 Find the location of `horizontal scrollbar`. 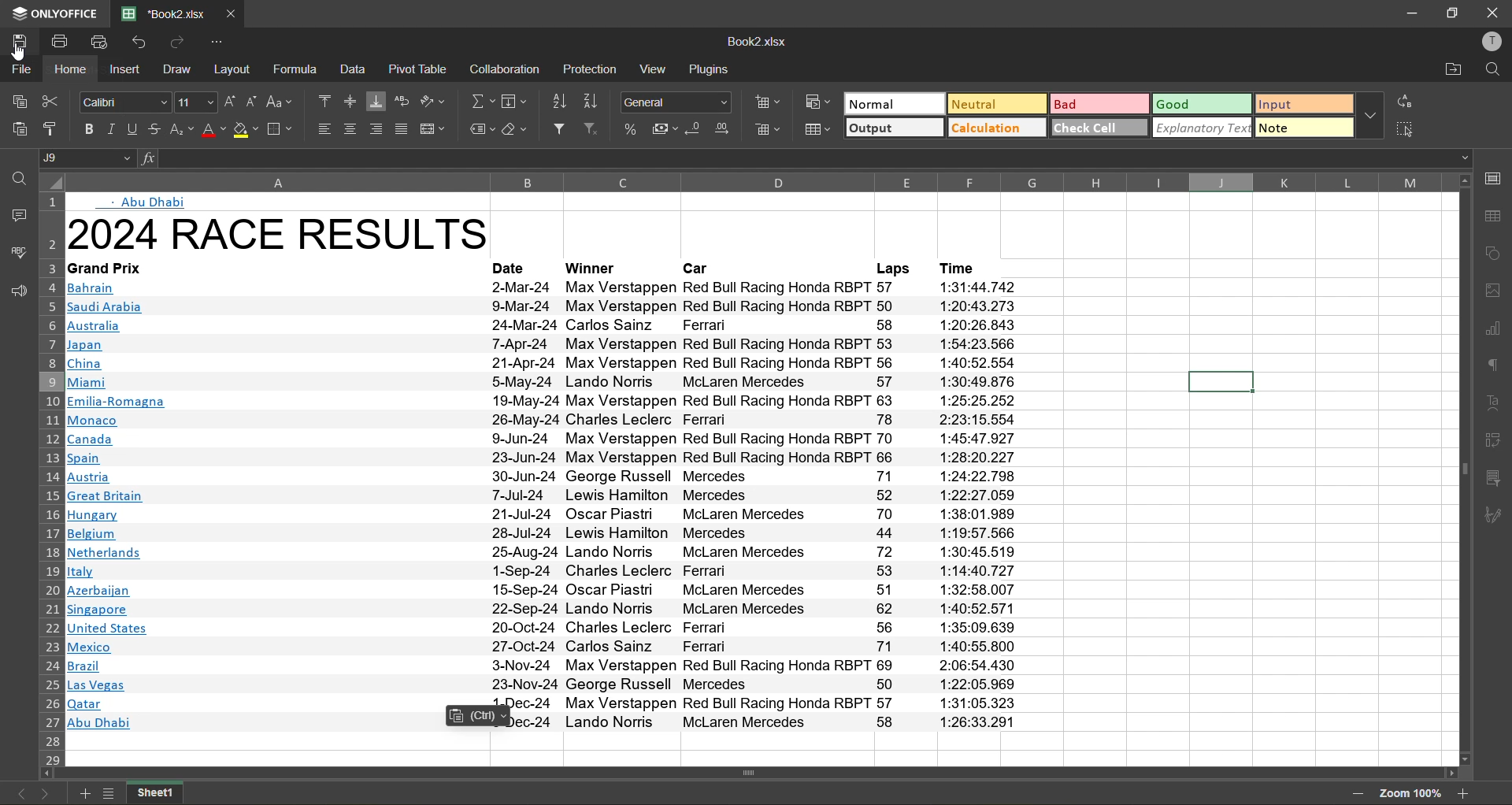

horizontal scrollbar is located at coordinates (747, 773).